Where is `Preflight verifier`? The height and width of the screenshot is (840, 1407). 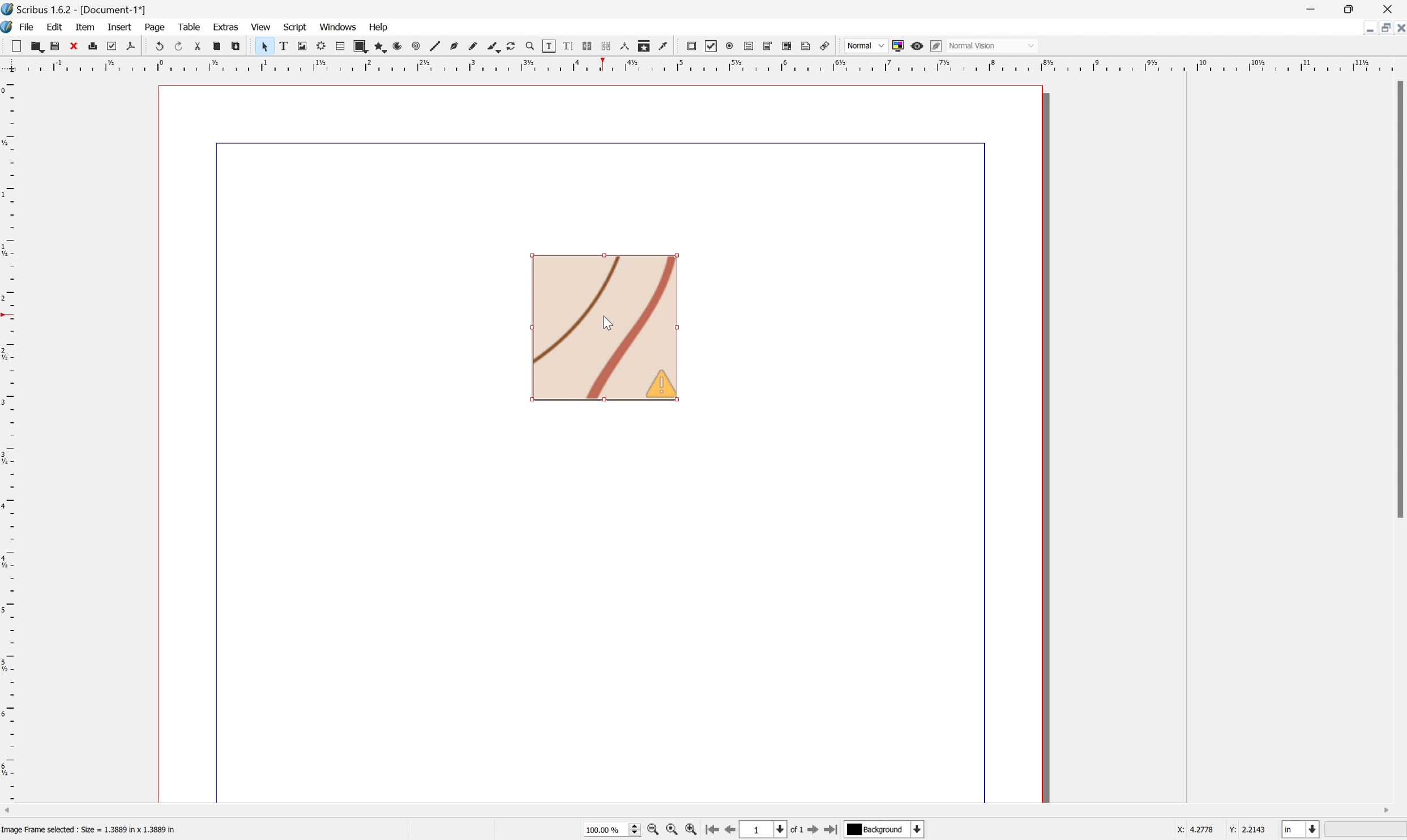 Preflight verifier is located at coordinates (113, 45).